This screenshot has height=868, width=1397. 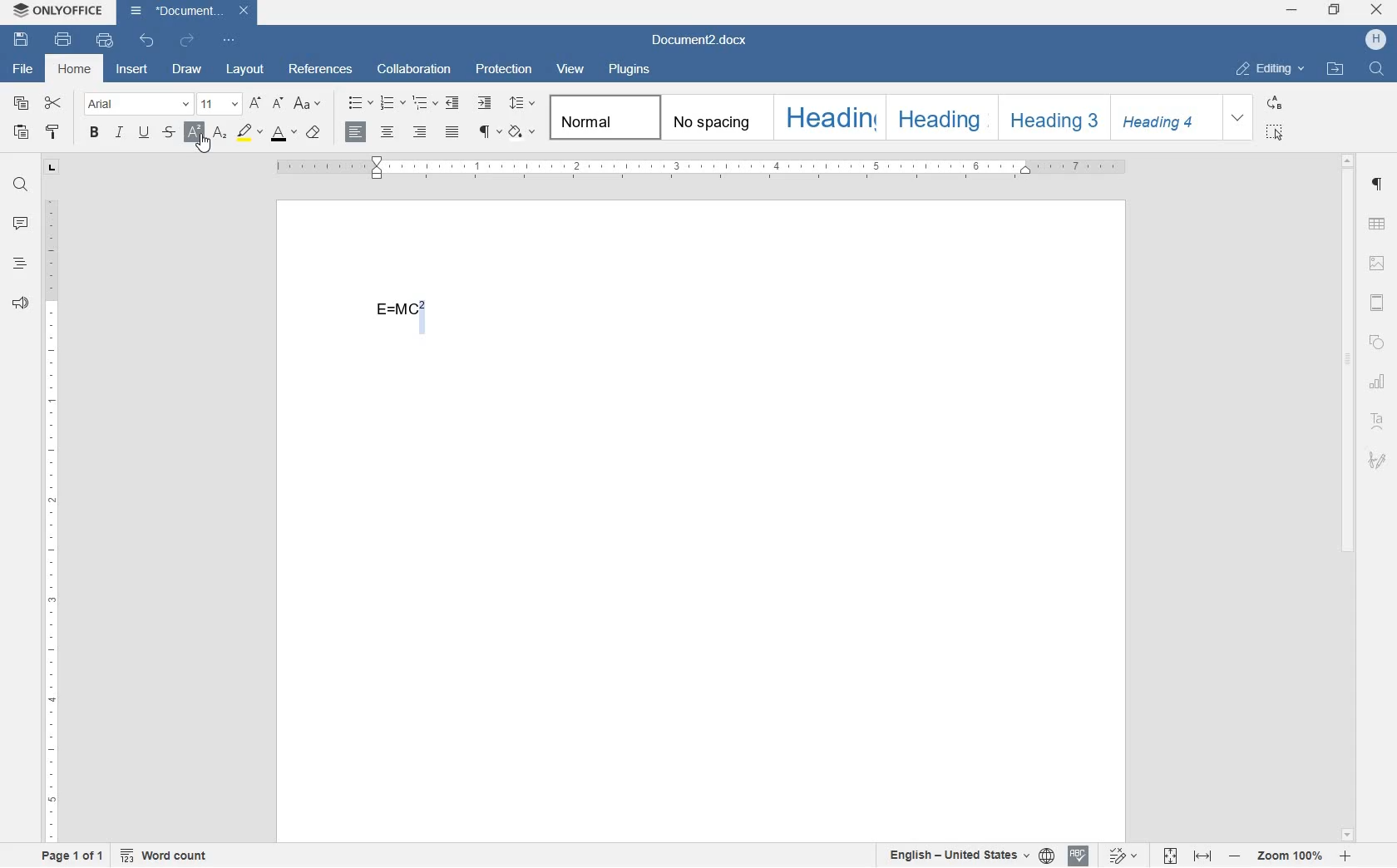 What do you see at coordinates (1077, 856) in the screenshot?
I see `spell checking` at bounding box center [1077, 856].